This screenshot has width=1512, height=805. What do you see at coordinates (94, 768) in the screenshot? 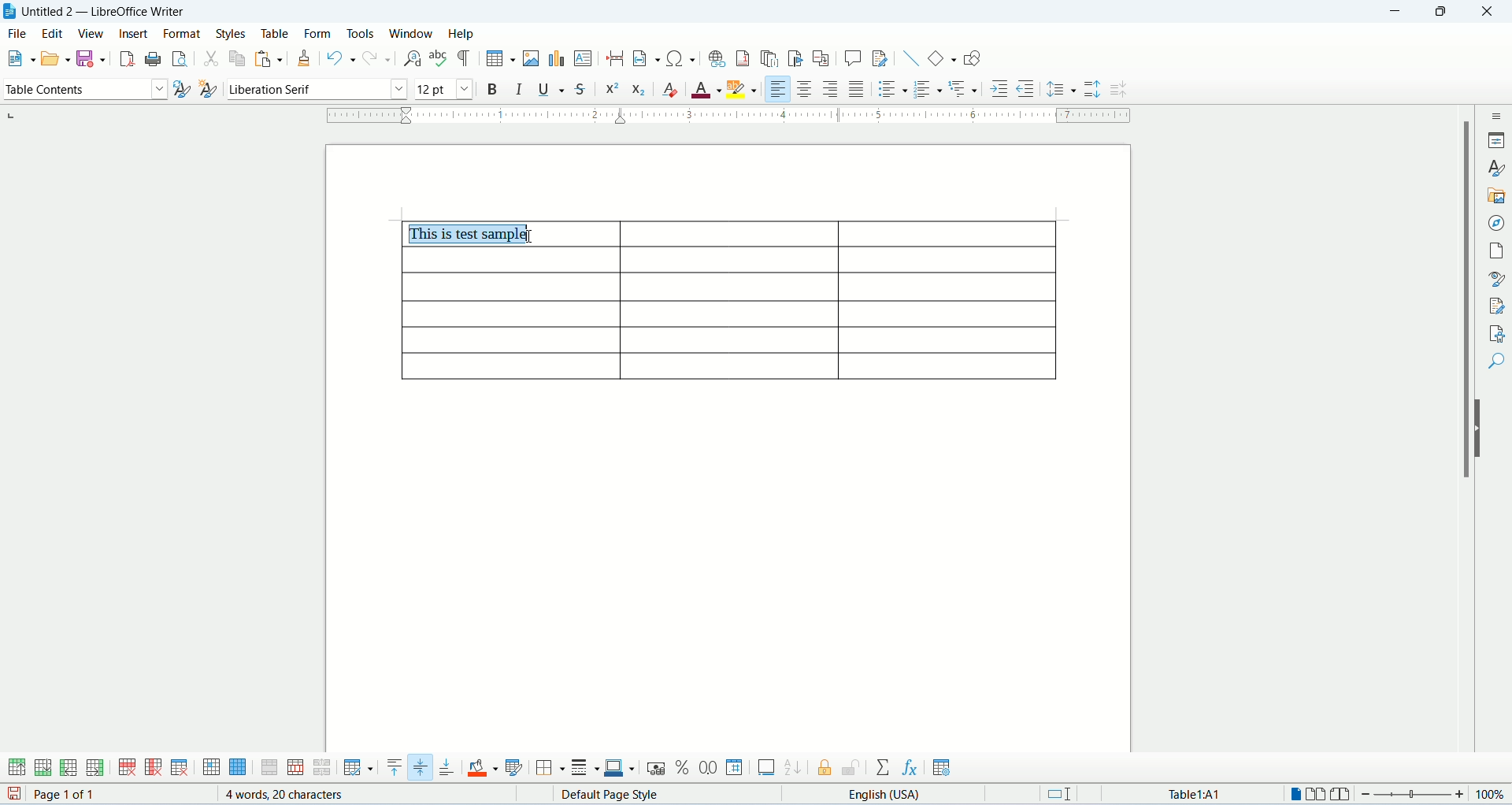
I see `inser columns after` at bounding box center [94, 768].